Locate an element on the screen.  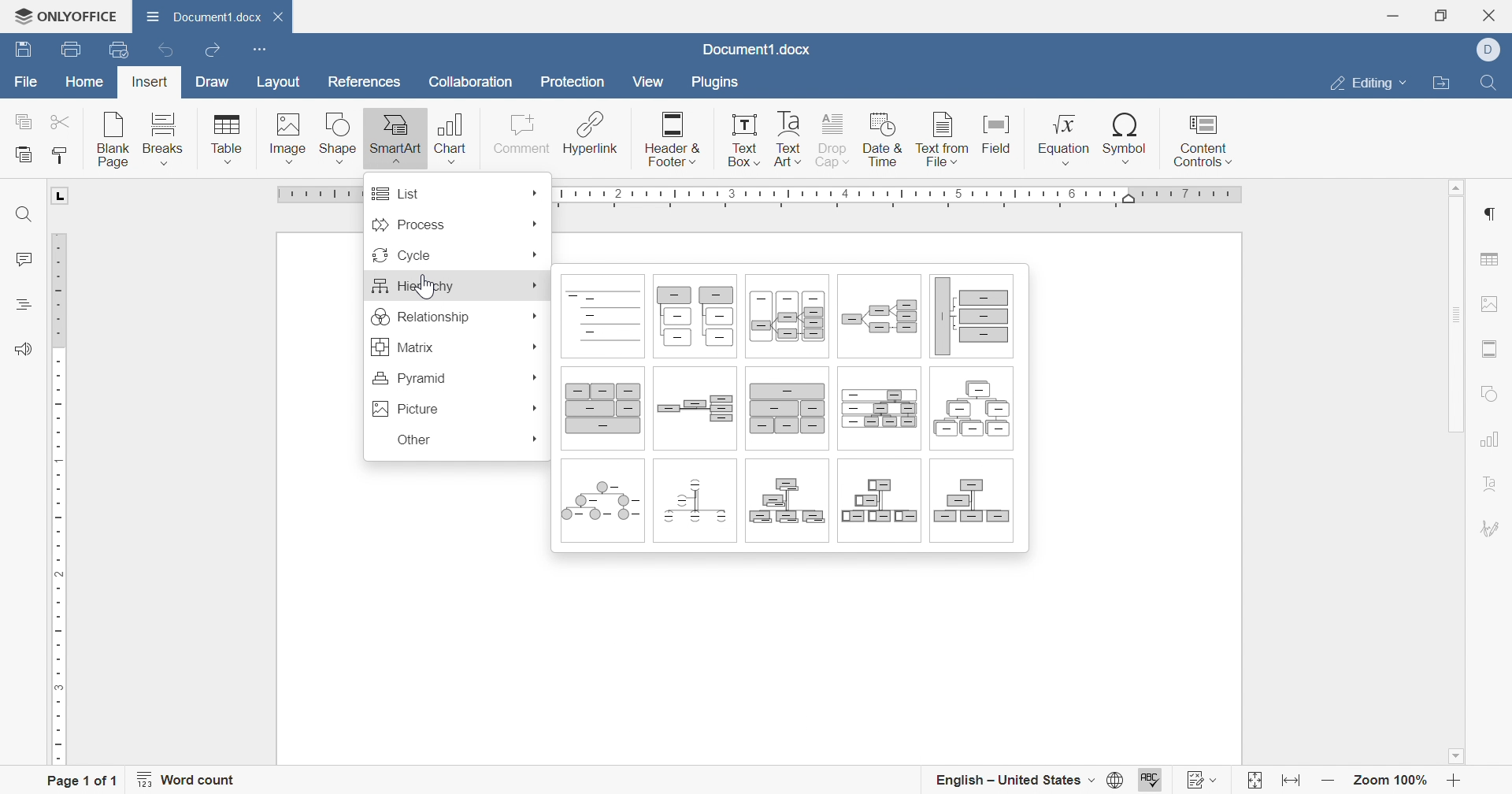
Layout is located at coordinates (276, 83).